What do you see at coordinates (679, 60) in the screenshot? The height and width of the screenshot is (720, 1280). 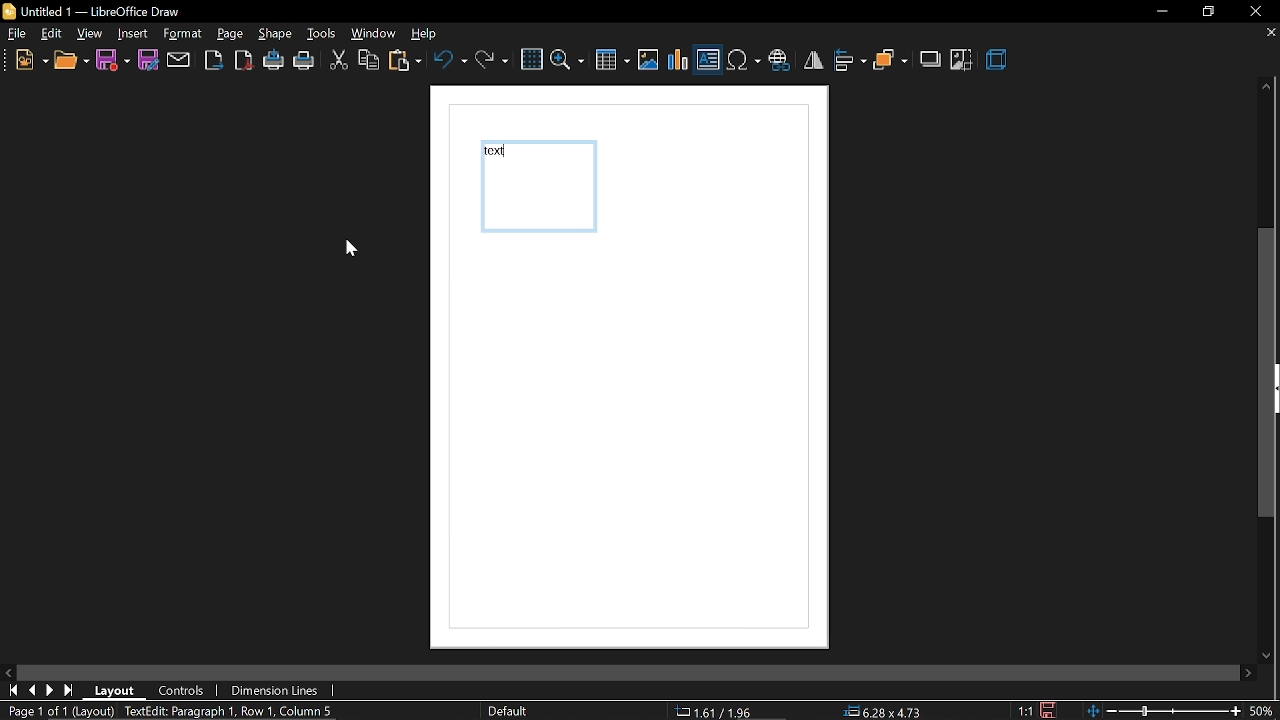 I see `insert chart` at bounding box center [679, 60].